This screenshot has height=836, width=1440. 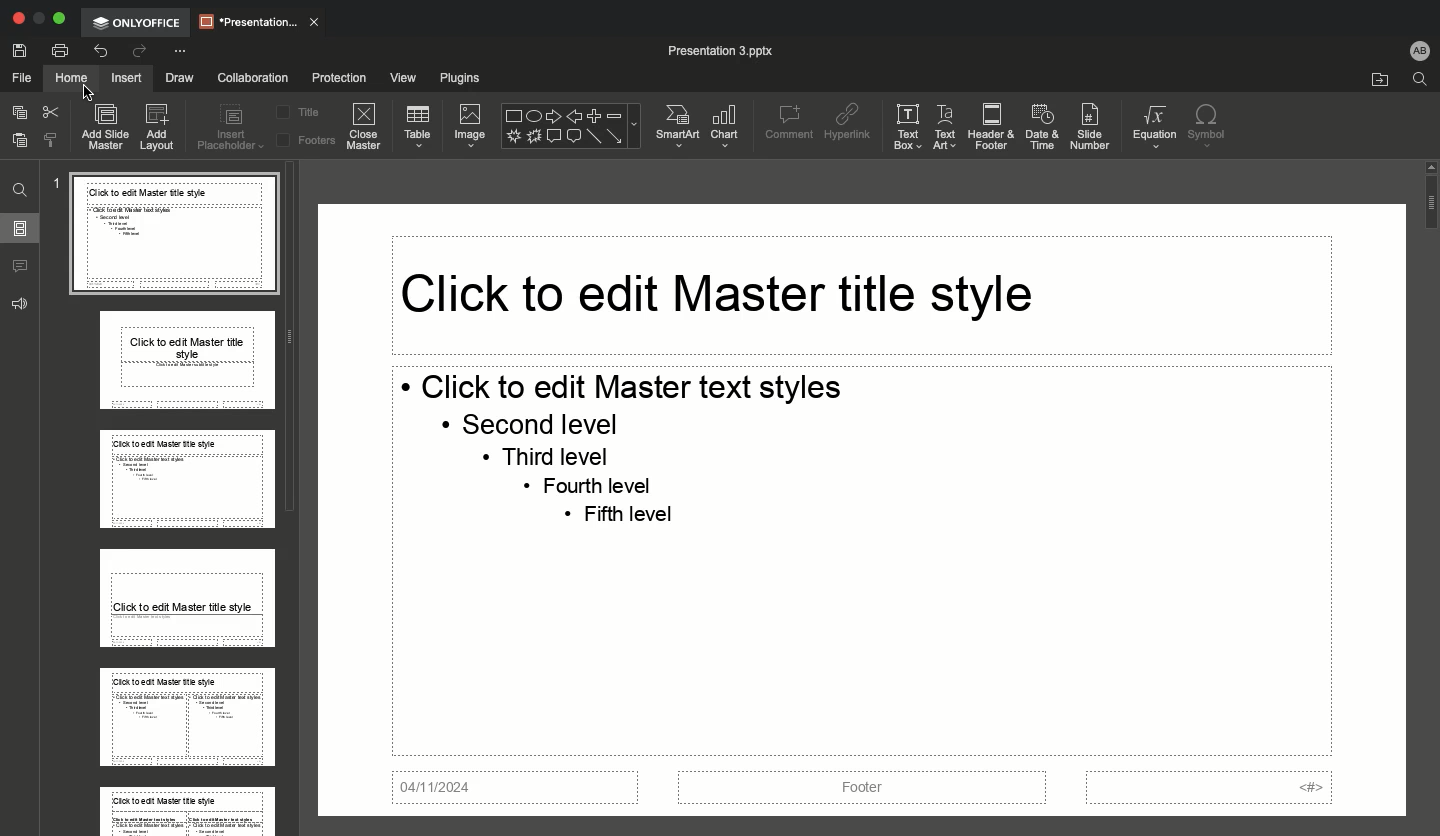 What do you see at coordinates (259, 20) in the screenshot?
I see `Presentation..` at bounding box center [259, 20].